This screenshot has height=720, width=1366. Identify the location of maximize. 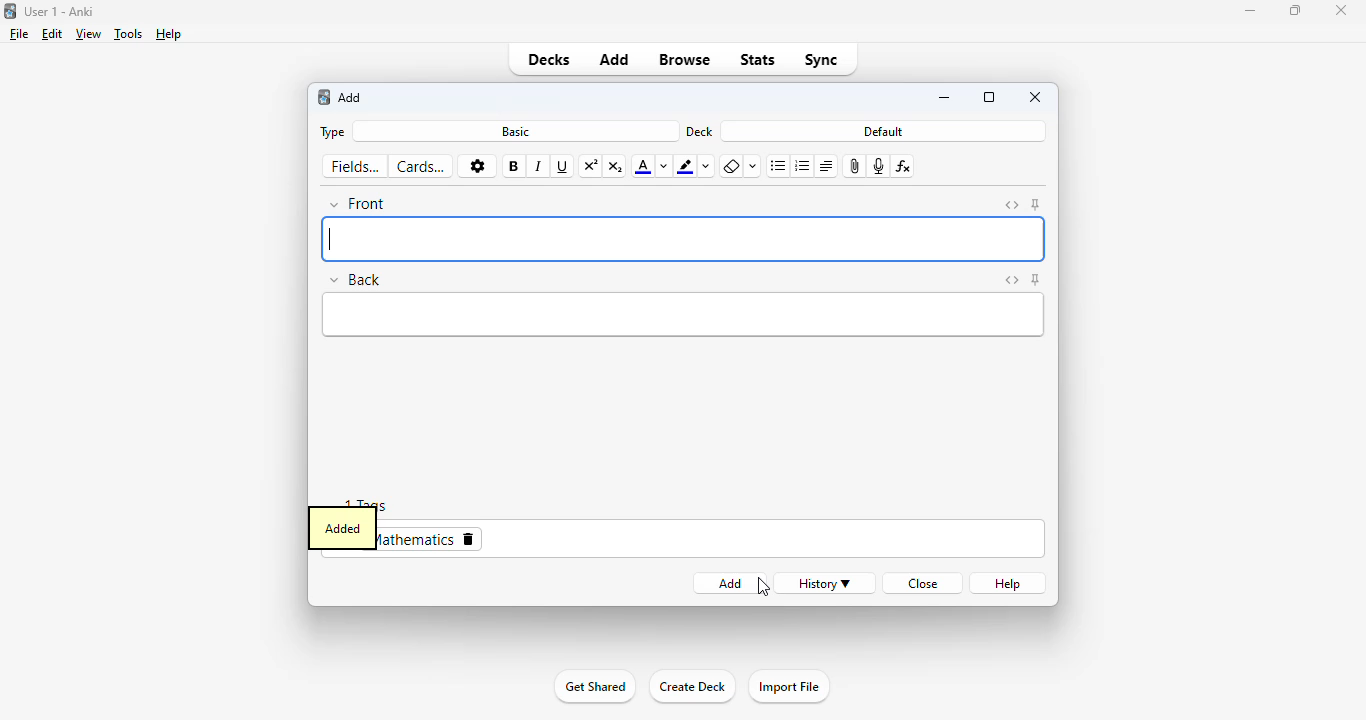
(989, 97).